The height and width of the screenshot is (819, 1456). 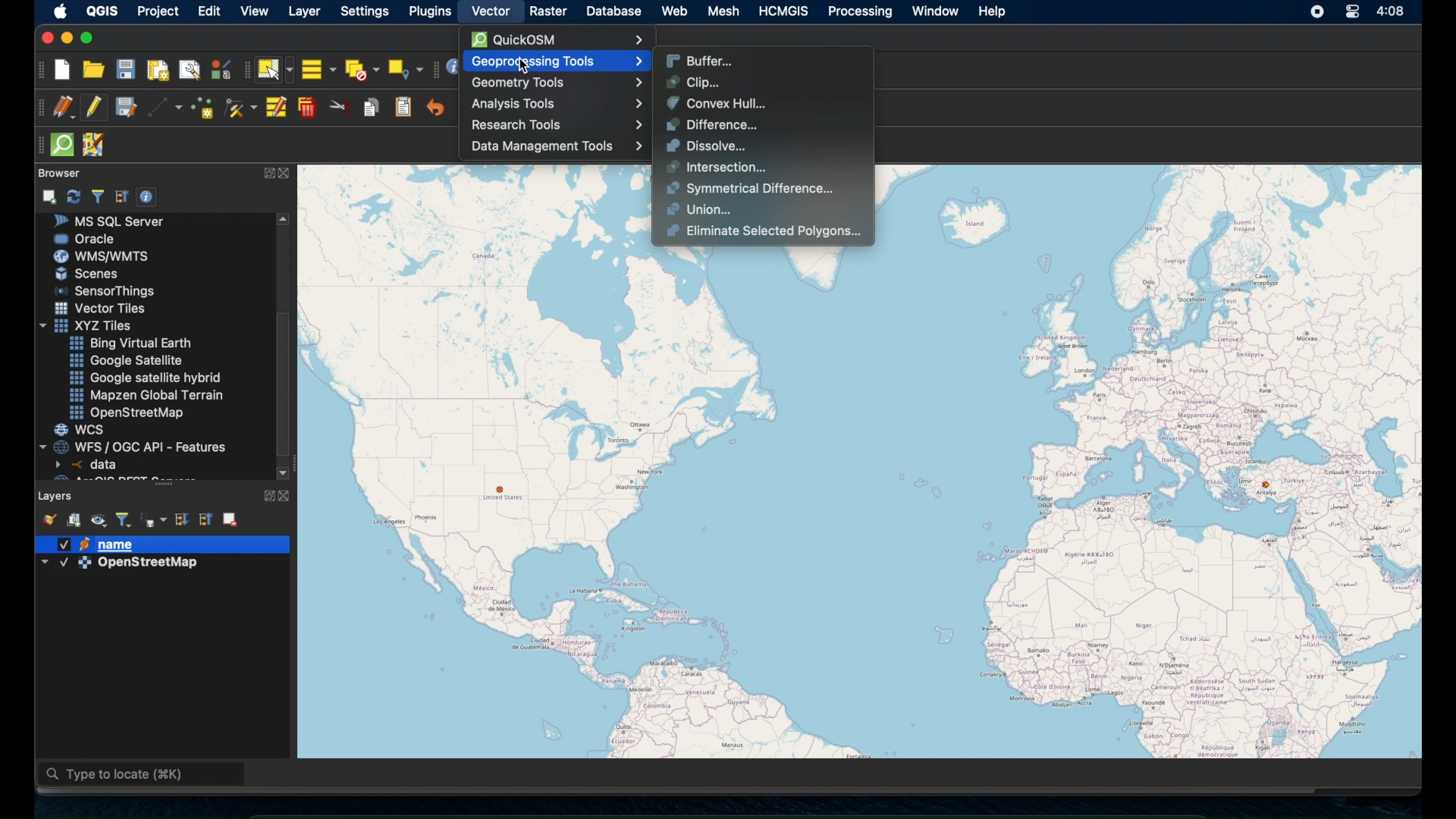 What do you see at coordinates (126, 71) in the screenshot?
I see `save project` at bounding box center [126, 71].